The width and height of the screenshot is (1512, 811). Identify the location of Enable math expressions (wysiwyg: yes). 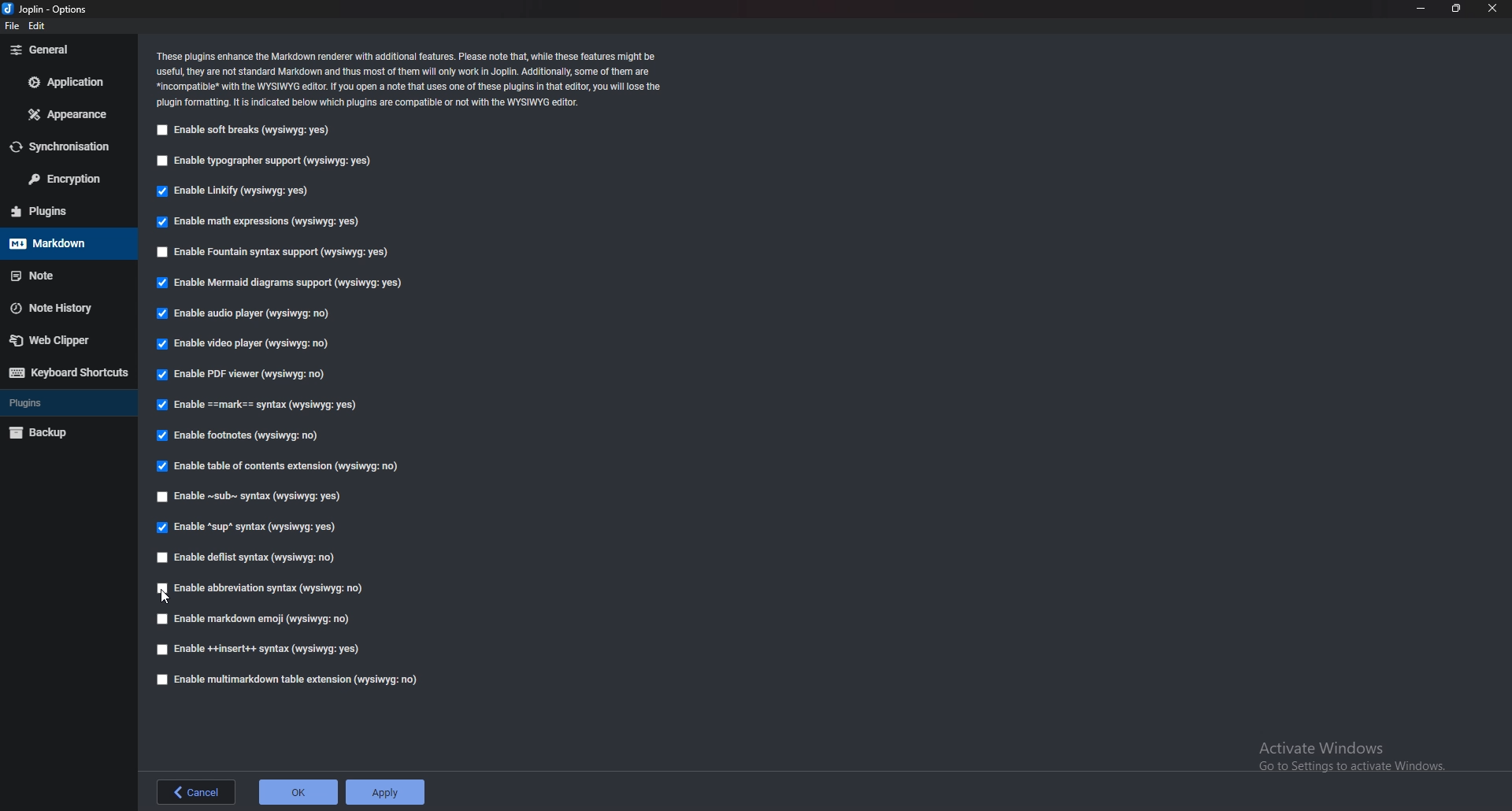
(261, 221).